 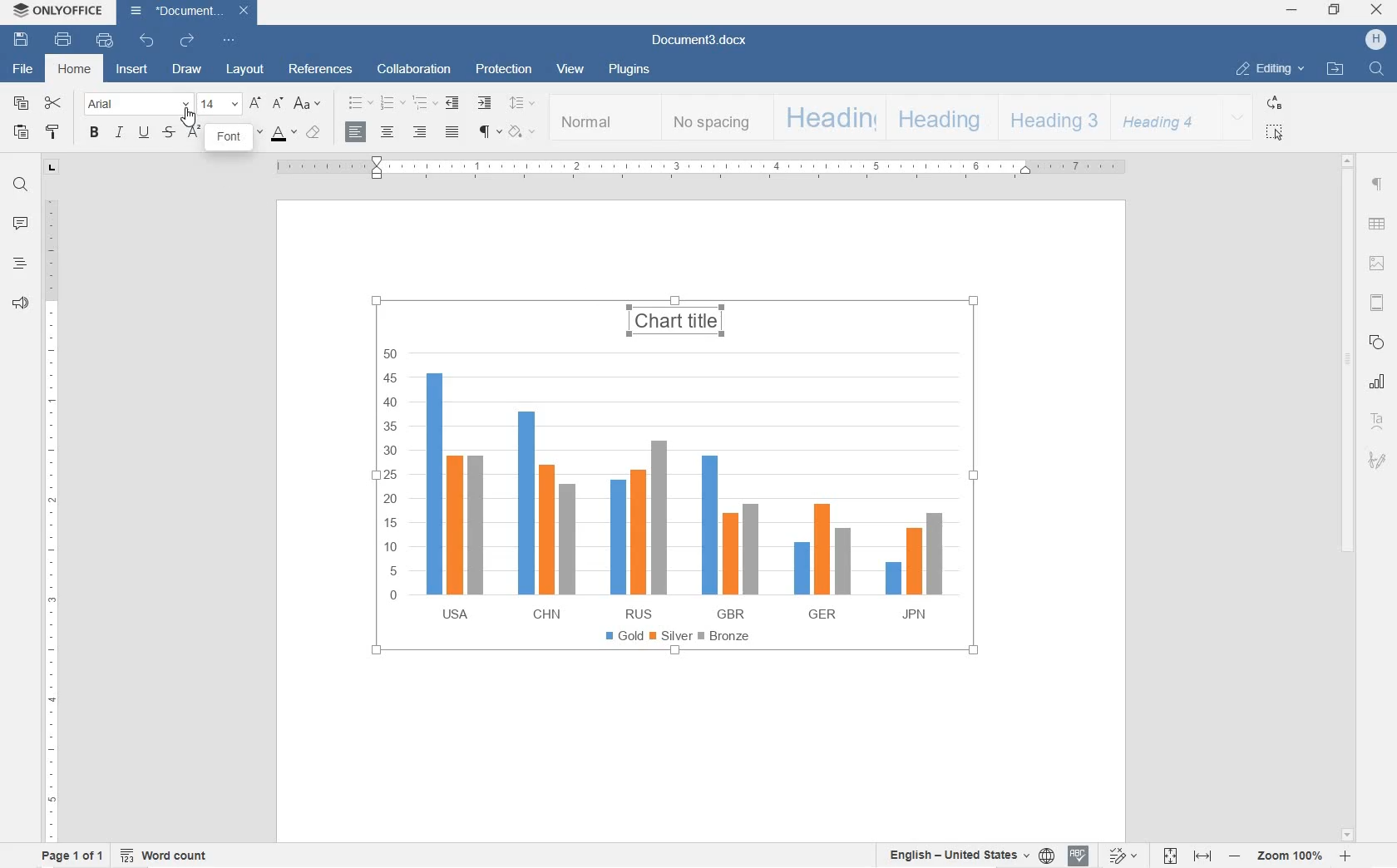 I want to click on PLUGINS, so click(x=628, y=70).